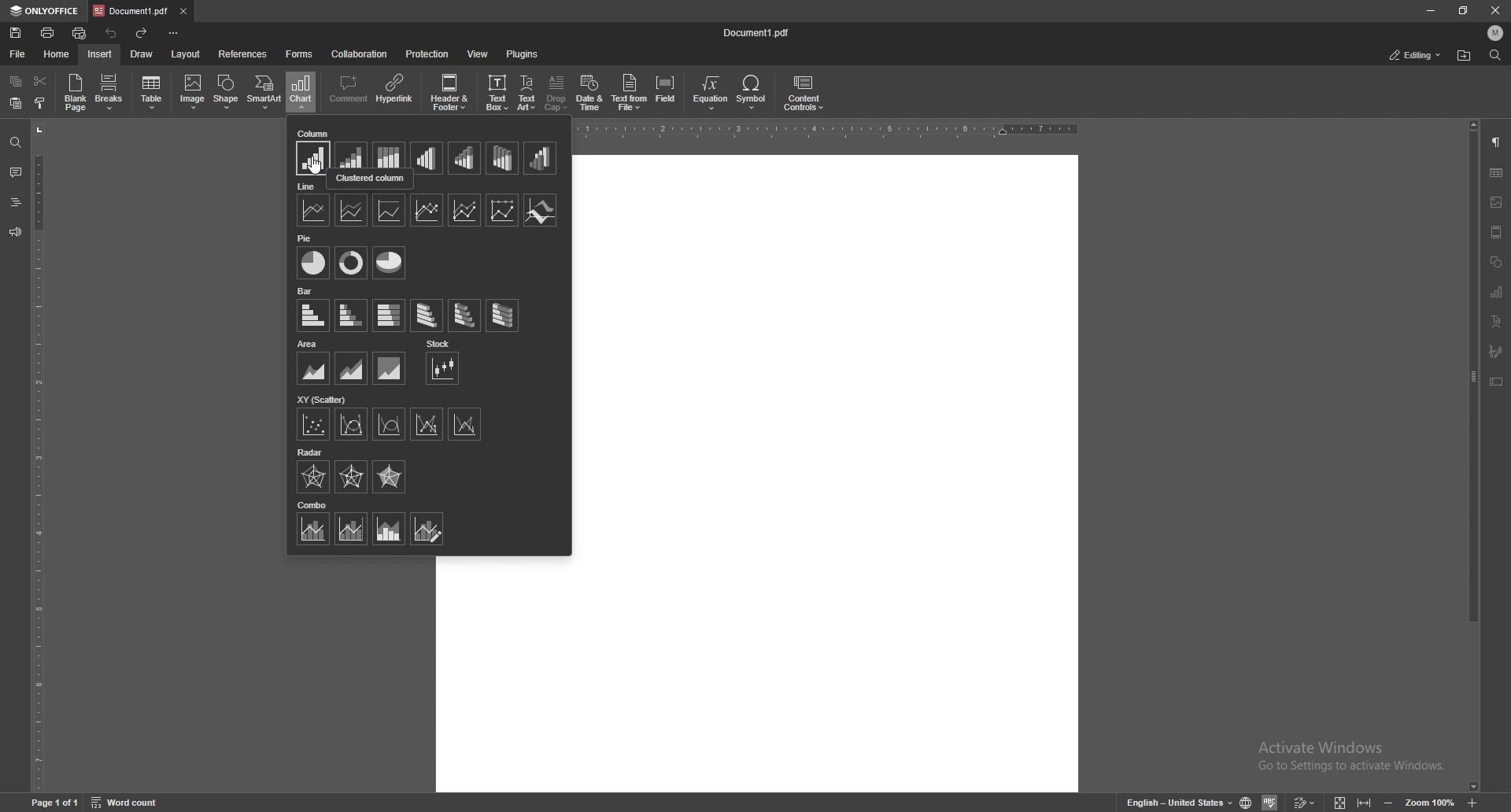 This screenshot has height=812, width=1511. I want to click on status, so click(1415, 54).